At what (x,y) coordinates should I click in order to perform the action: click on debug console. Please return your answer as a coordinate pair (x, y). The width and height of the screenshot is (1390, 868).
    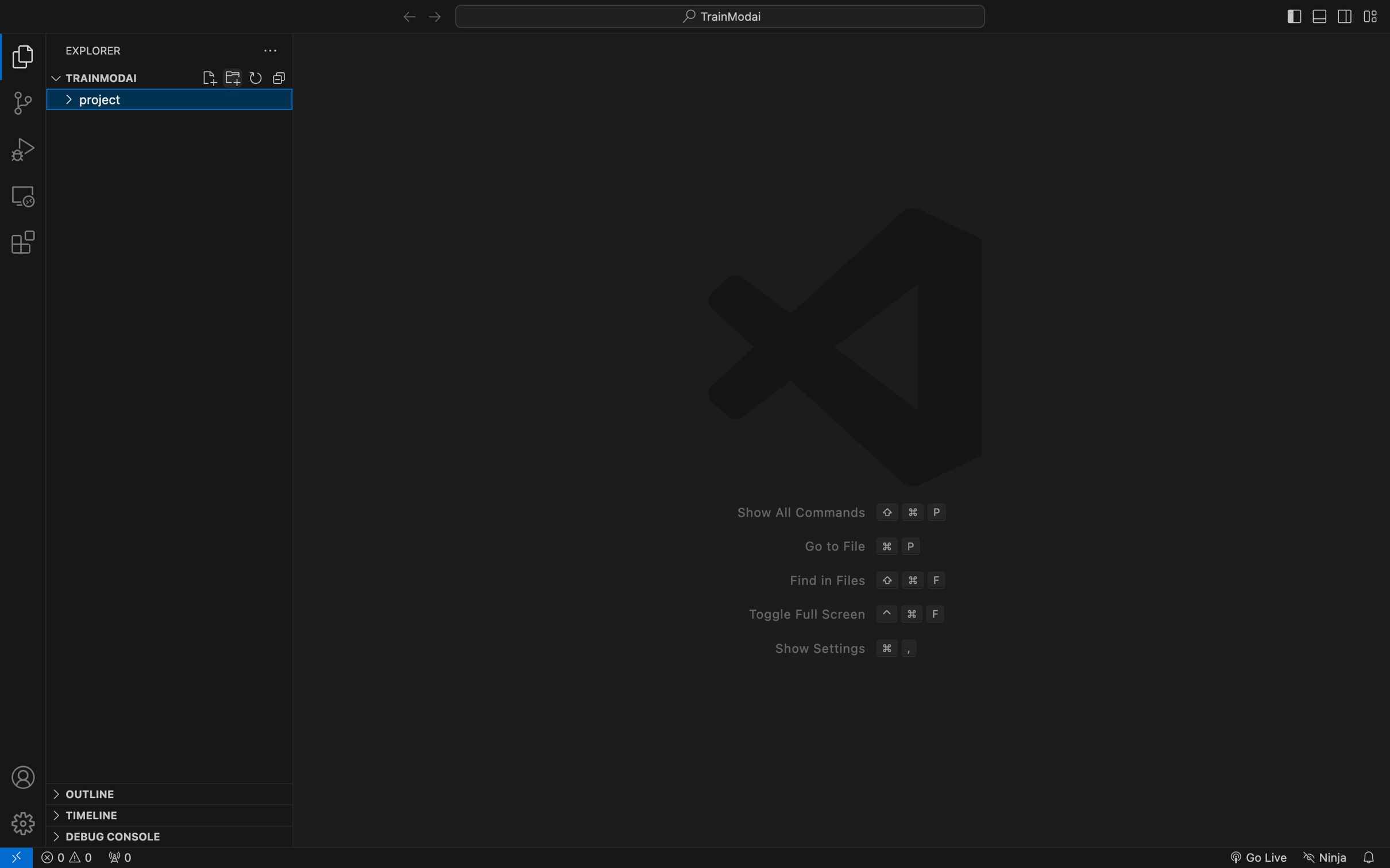
    Looking at the image, I should click on (109, 835).